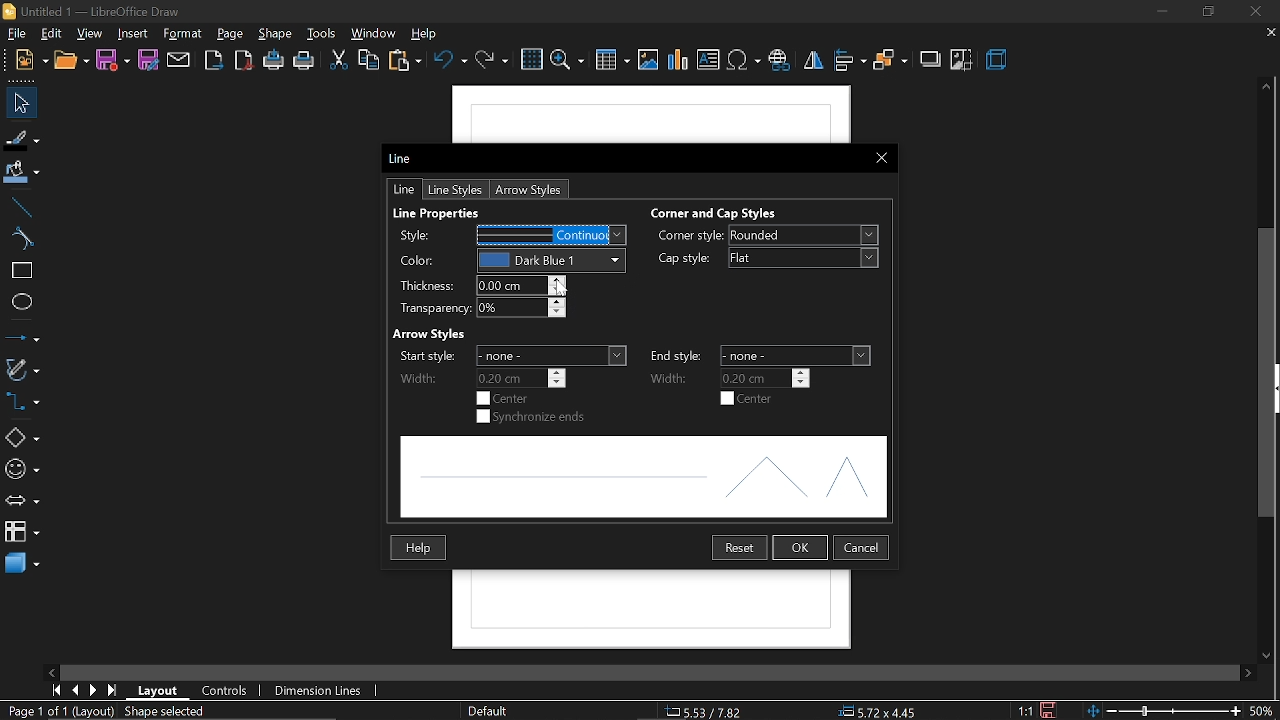  What do you see at coordinates (20, 103) in the screenshot?
I see `move` at bounding box center [20, 103].